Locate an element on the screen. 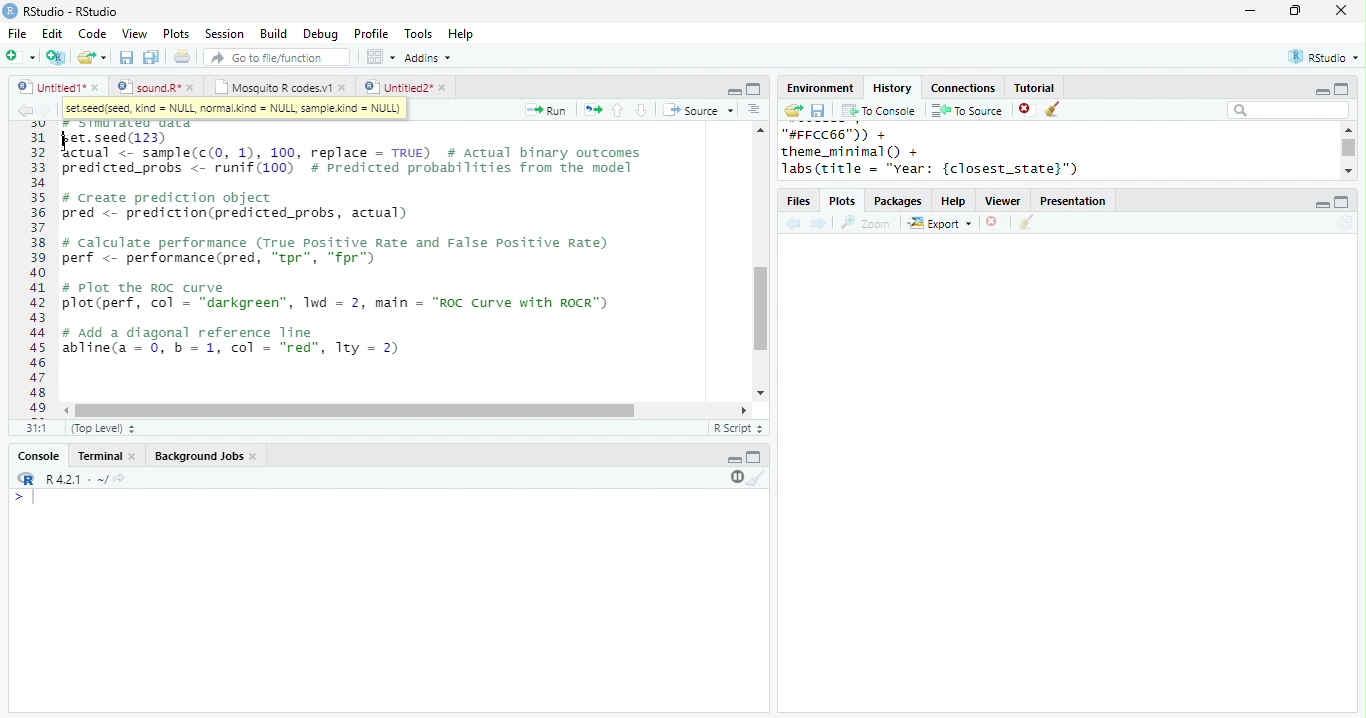 This screenshot has width=1366, height=718. Export is located at coordinates (941, 224).